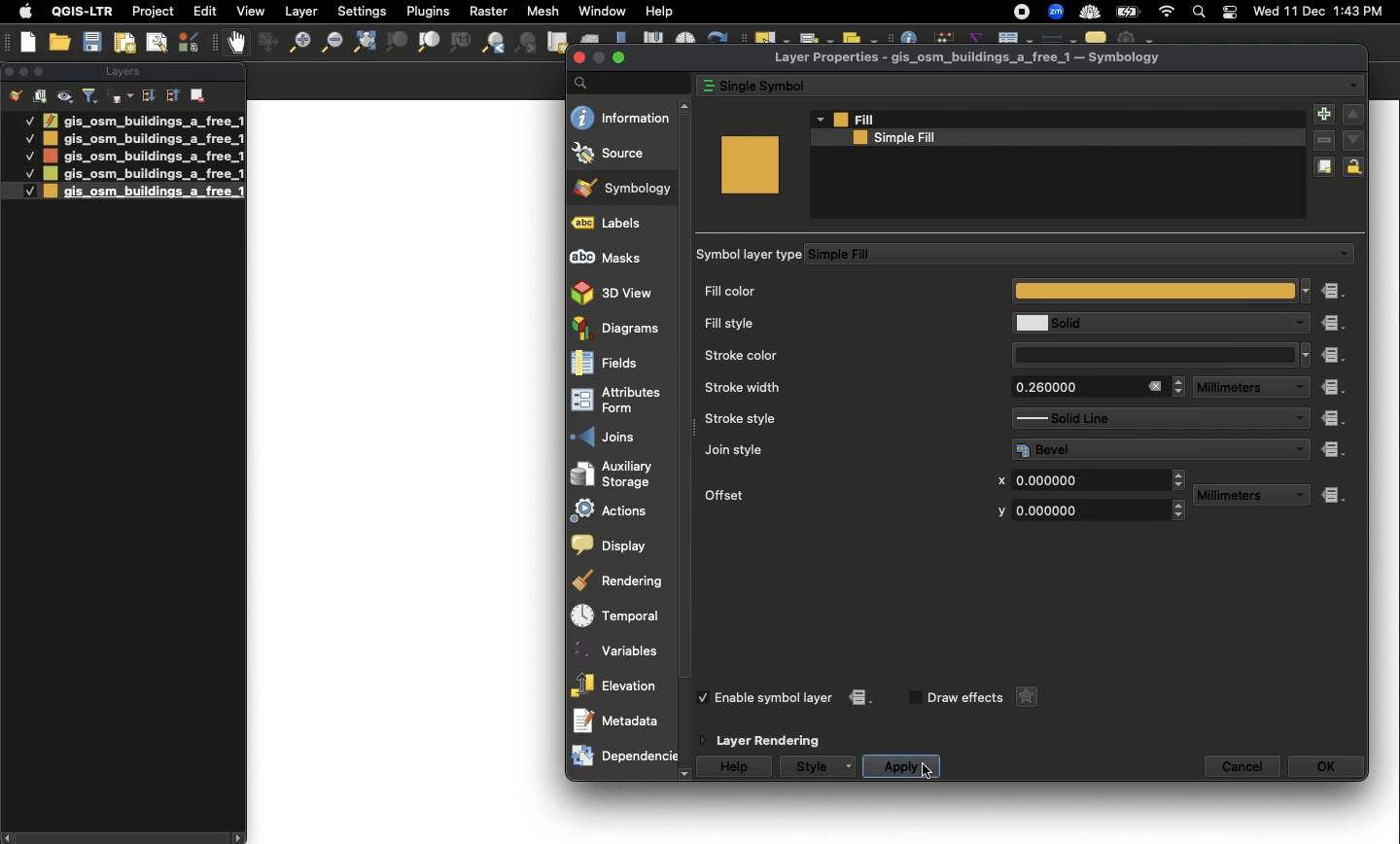  Describe the element at coordinates (1227, 13) in the screenshot. I see `Notification` at that location.